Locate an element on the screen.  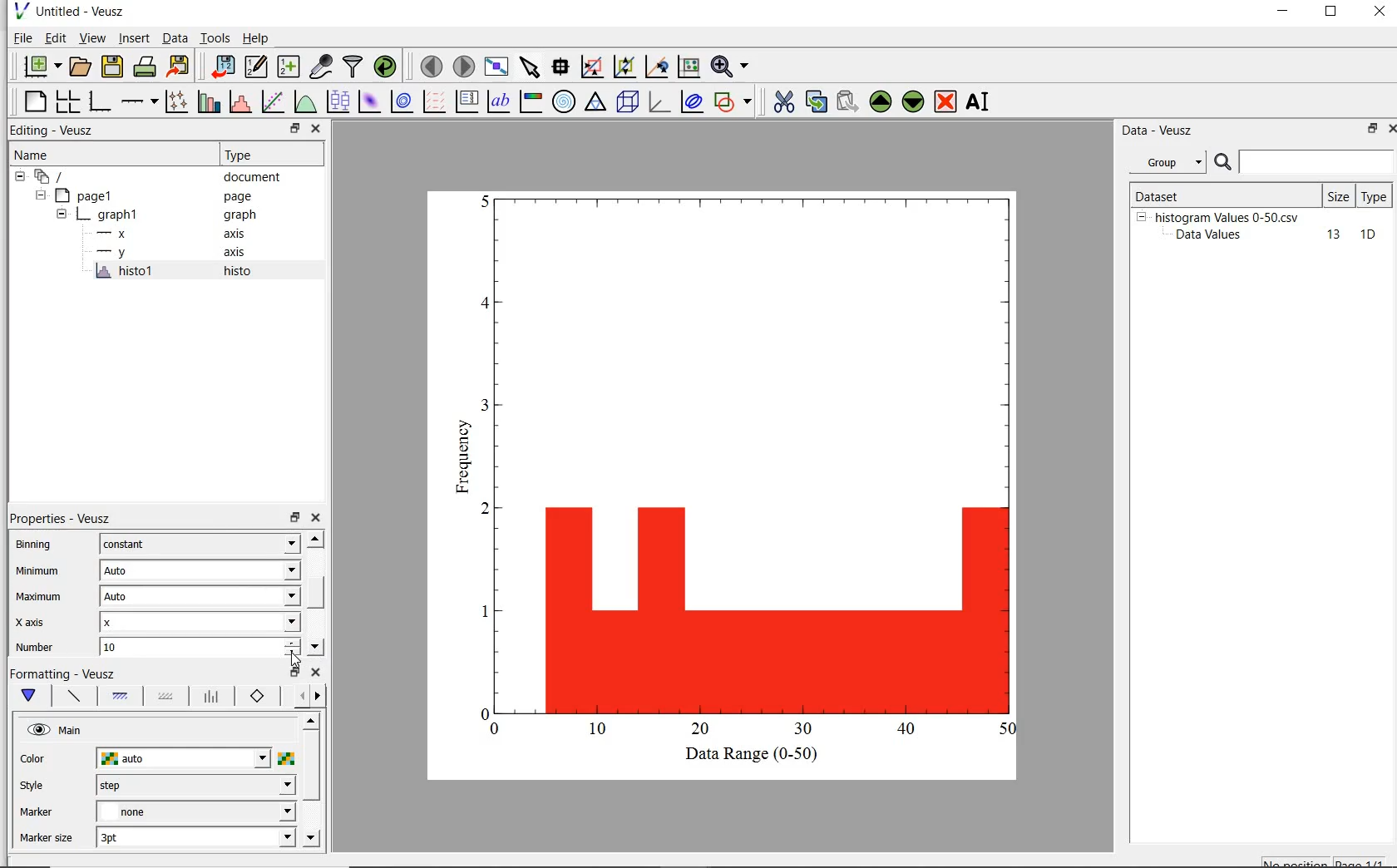
X axis is located at coordinates (37, 624).